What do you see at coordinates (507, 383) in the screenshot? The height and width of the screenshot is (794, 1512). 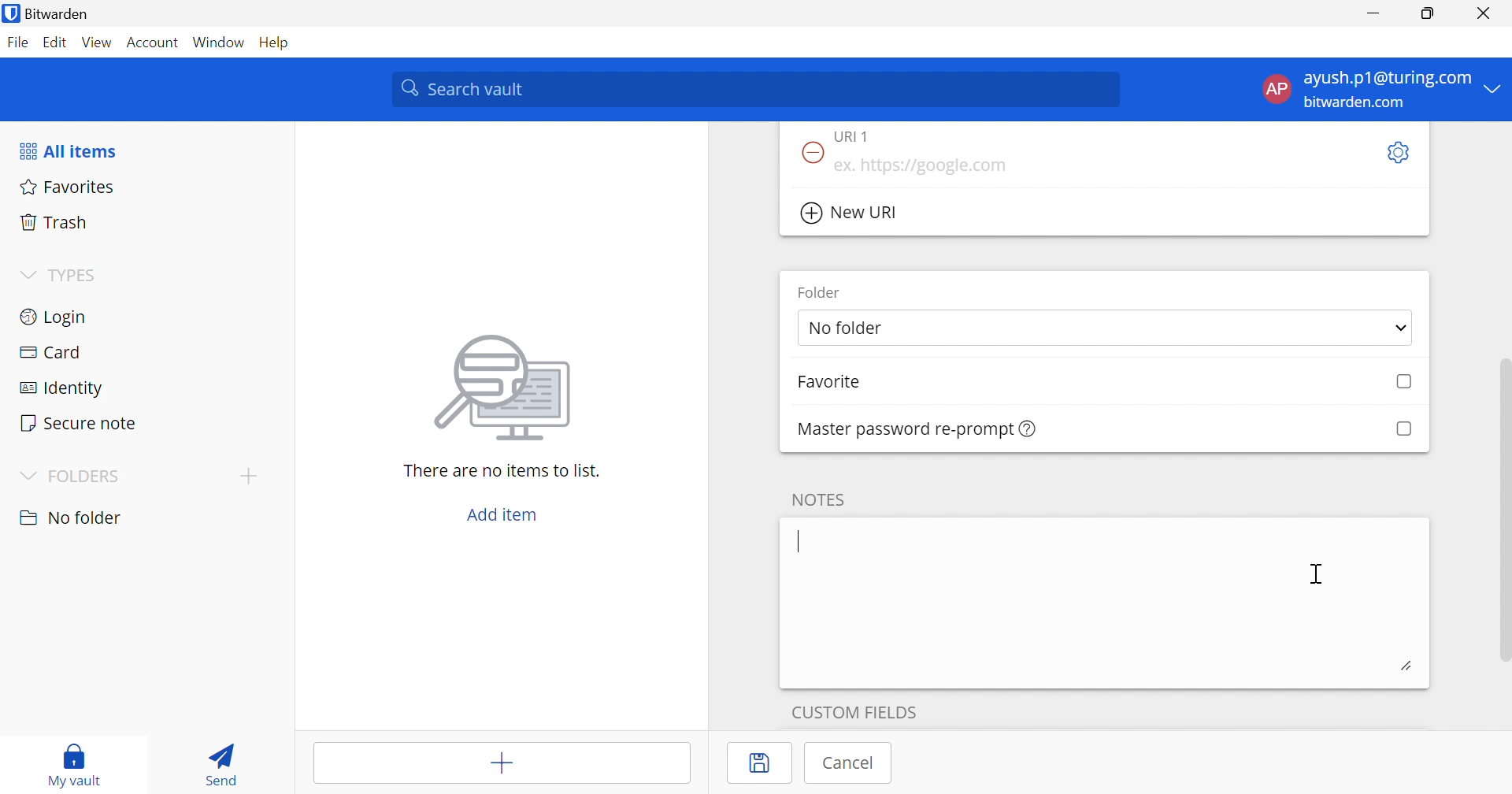 I see `image` at bounding box center [507, 383].